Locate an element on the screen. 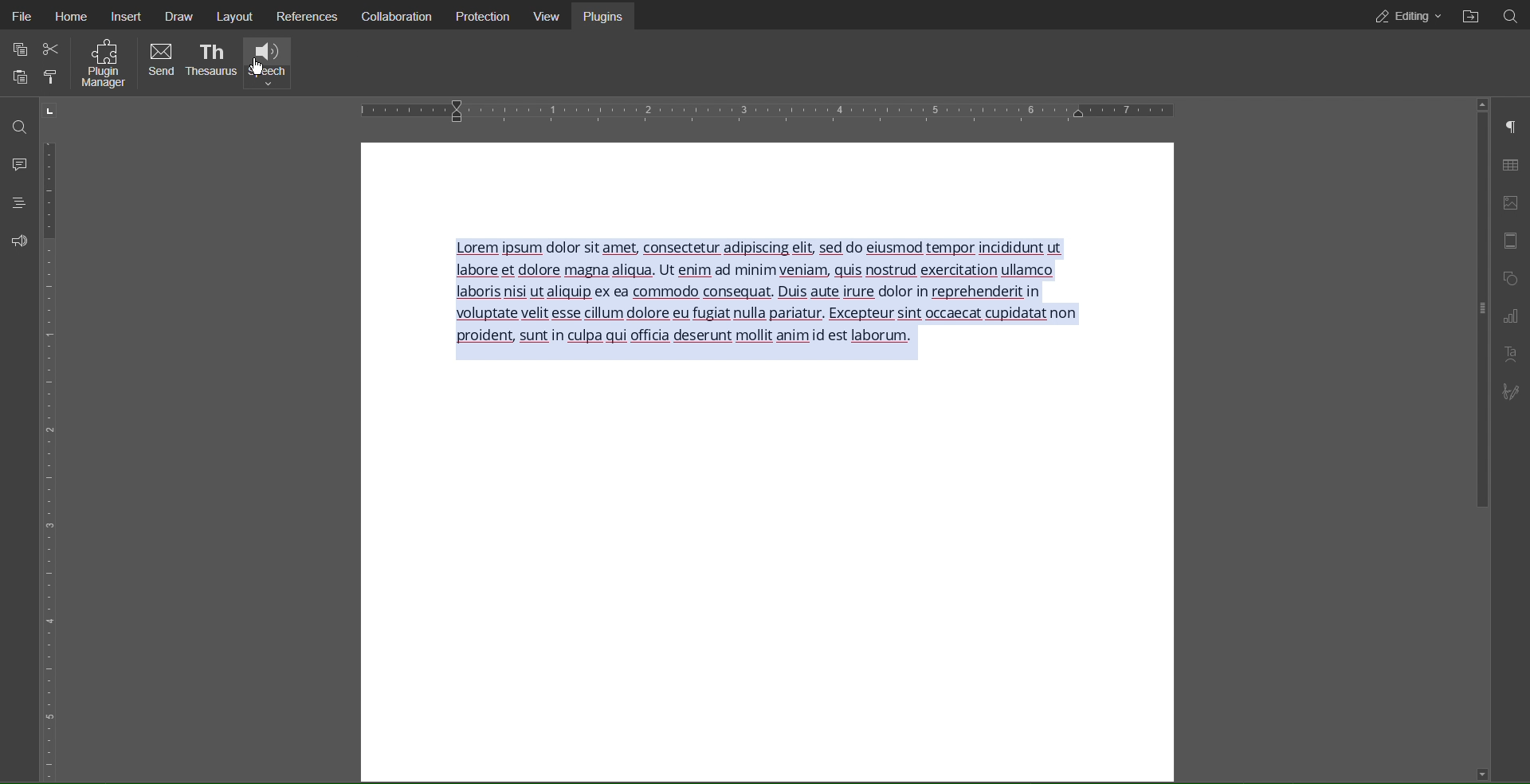 The width and height of the screenshot is (1530, 784). Headings is located at coordinates (13, 203).